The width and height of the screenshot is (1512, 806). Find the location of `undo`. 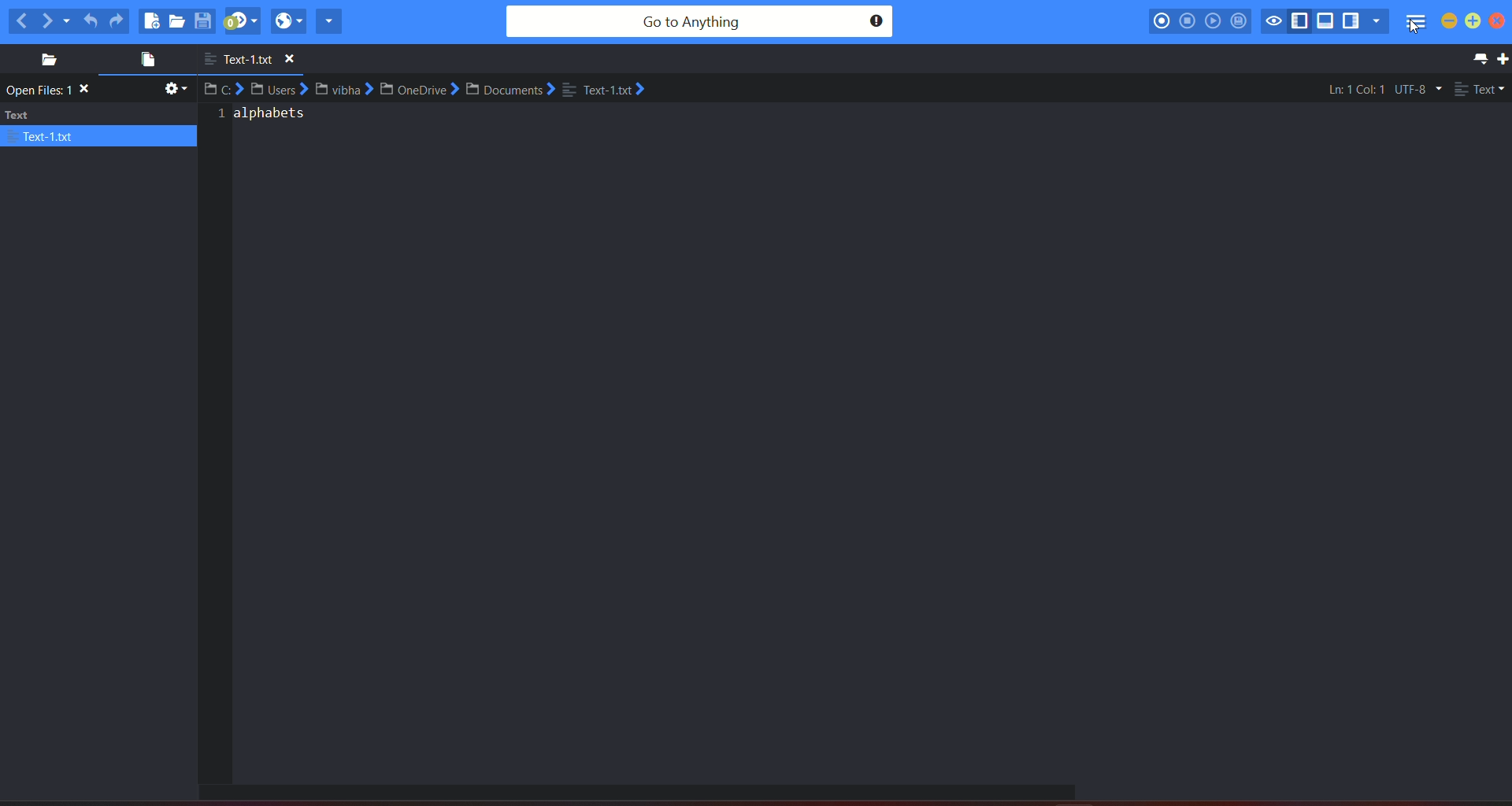

undo is located at coordinates (91, 18).